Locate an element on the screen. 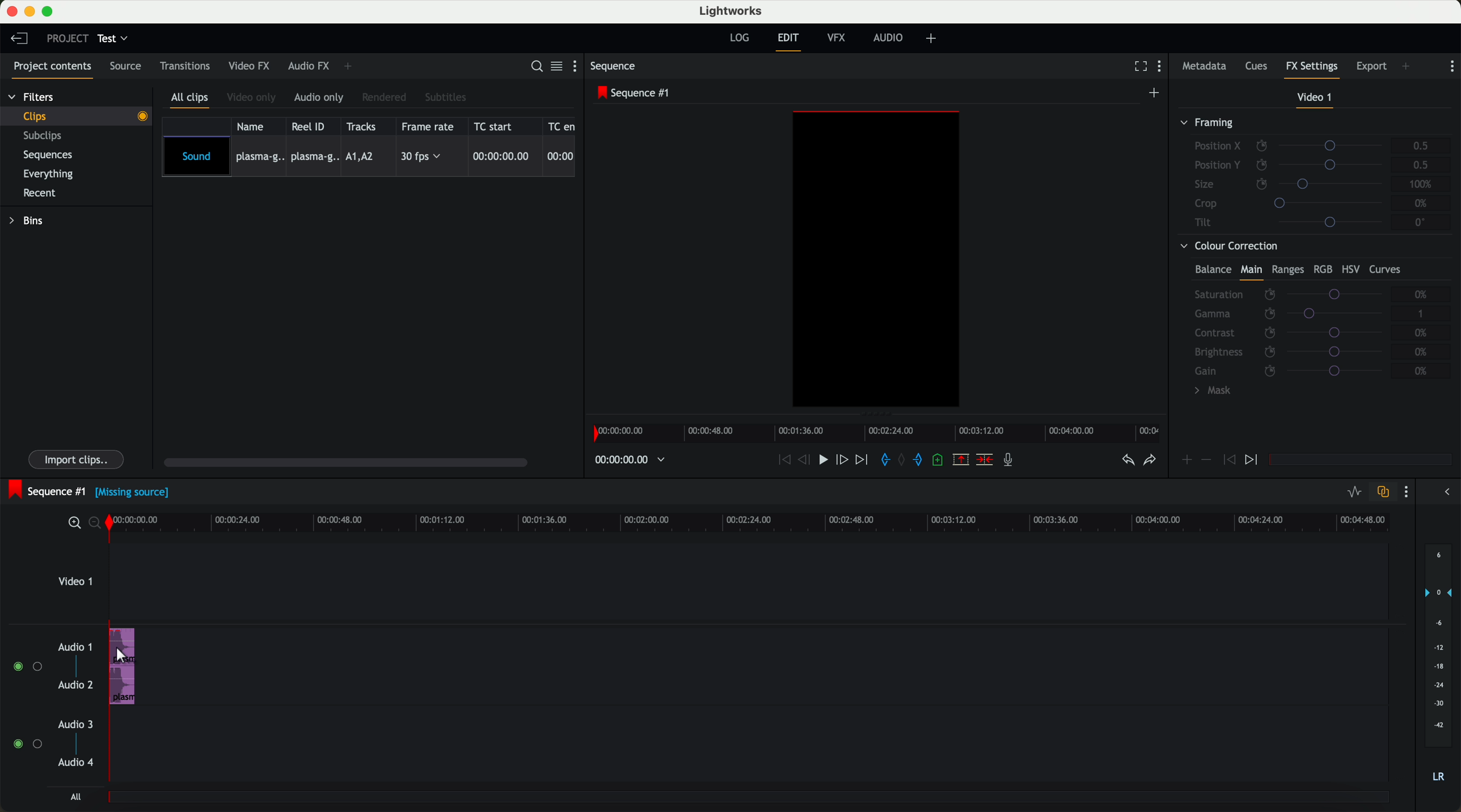  sequence #1 is located at coordinates (47, 489).